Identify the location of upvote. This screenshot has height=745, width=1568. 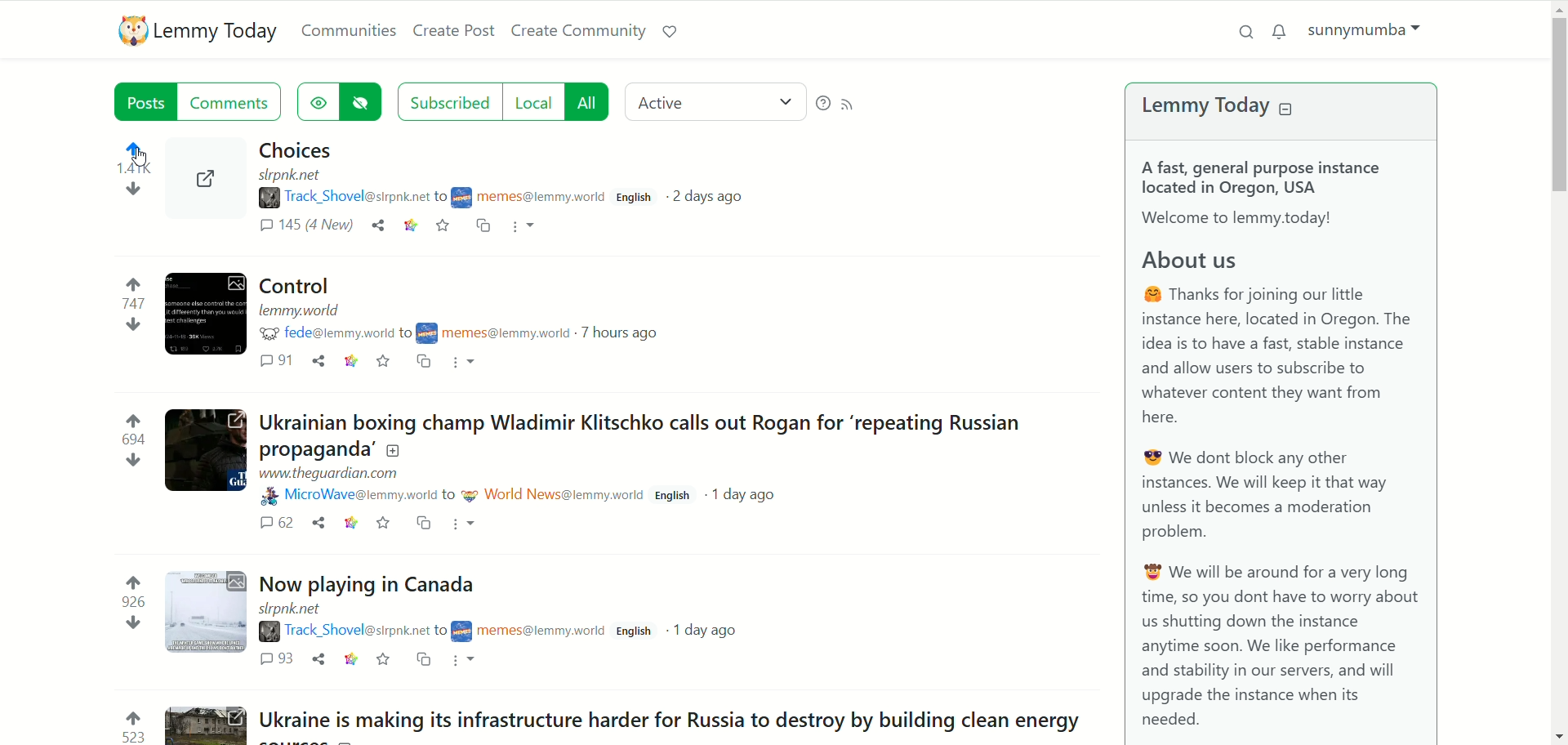
(132, 579).